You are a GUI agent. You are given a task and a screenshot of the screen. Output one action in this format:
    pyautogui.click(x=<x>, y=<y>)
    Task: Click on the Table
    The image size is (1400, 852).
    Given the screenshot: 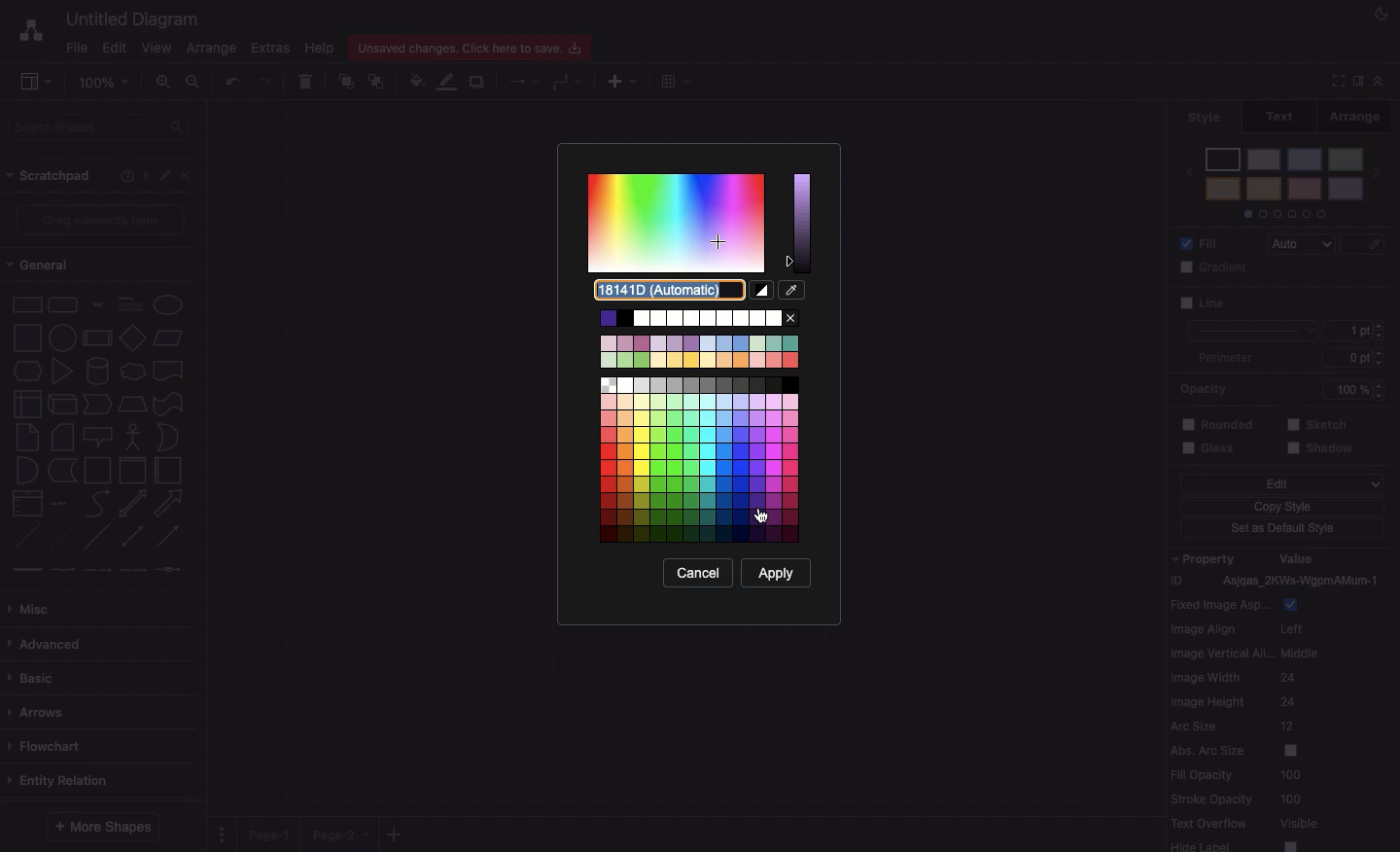 What is the action you would take?
    pyautogui.click(x=673, y=81)
    